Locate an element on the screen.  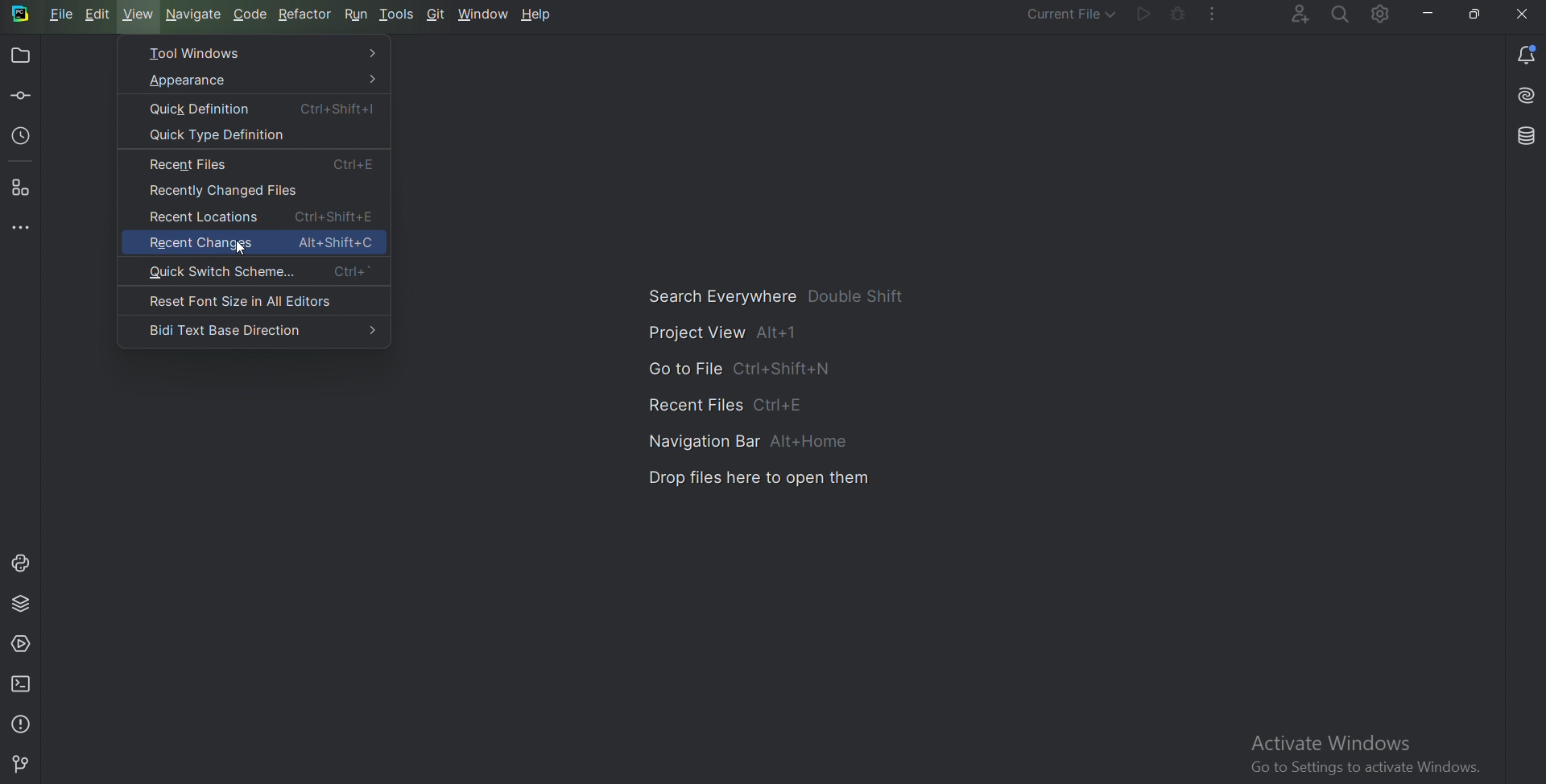
Local history is located at coordinates (23, 135).